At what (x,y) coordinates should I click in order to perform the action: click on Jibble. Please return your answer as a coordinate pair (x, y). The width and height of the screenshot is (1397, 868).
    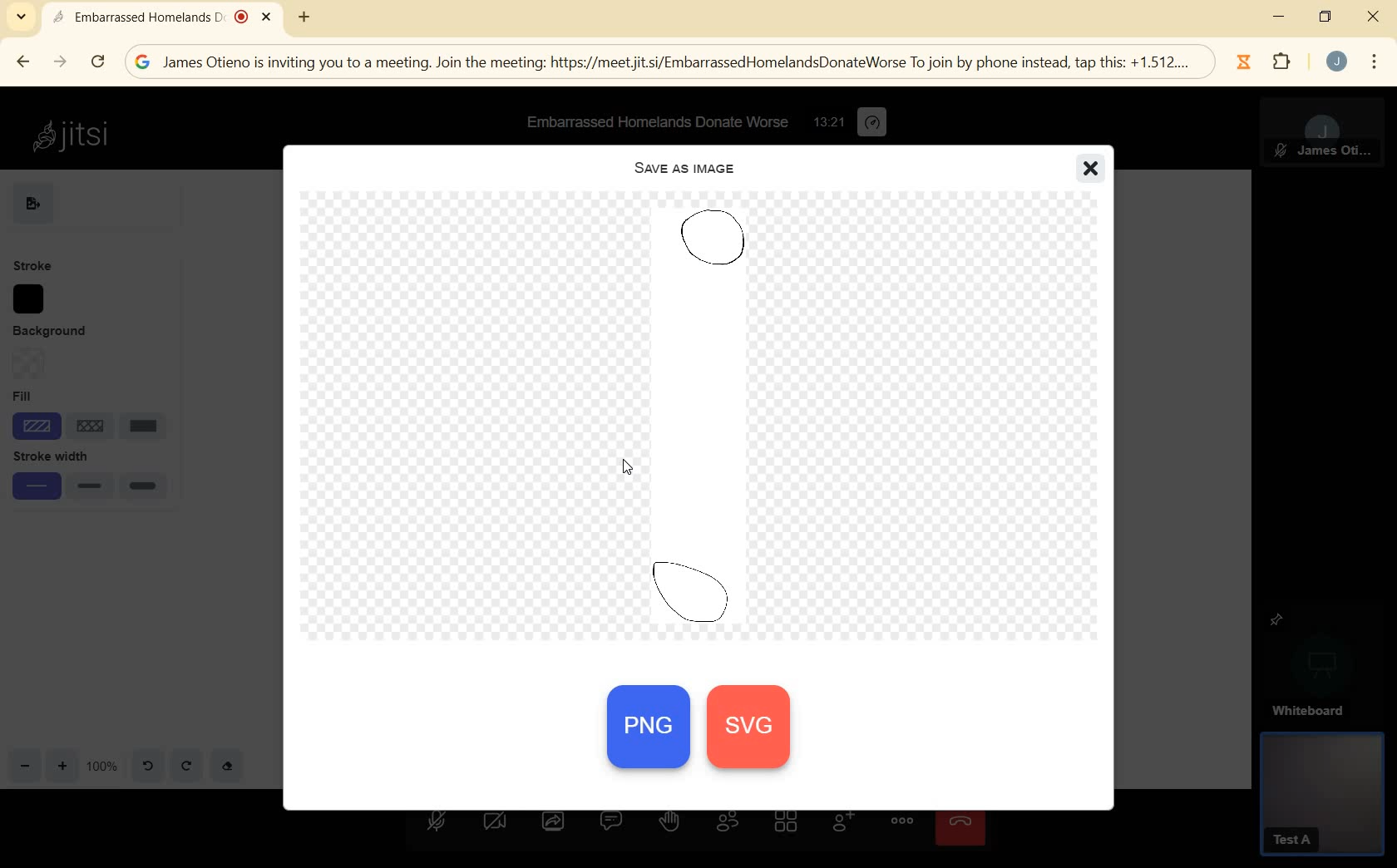
    Looking at the image, I should click on (1246, 62).